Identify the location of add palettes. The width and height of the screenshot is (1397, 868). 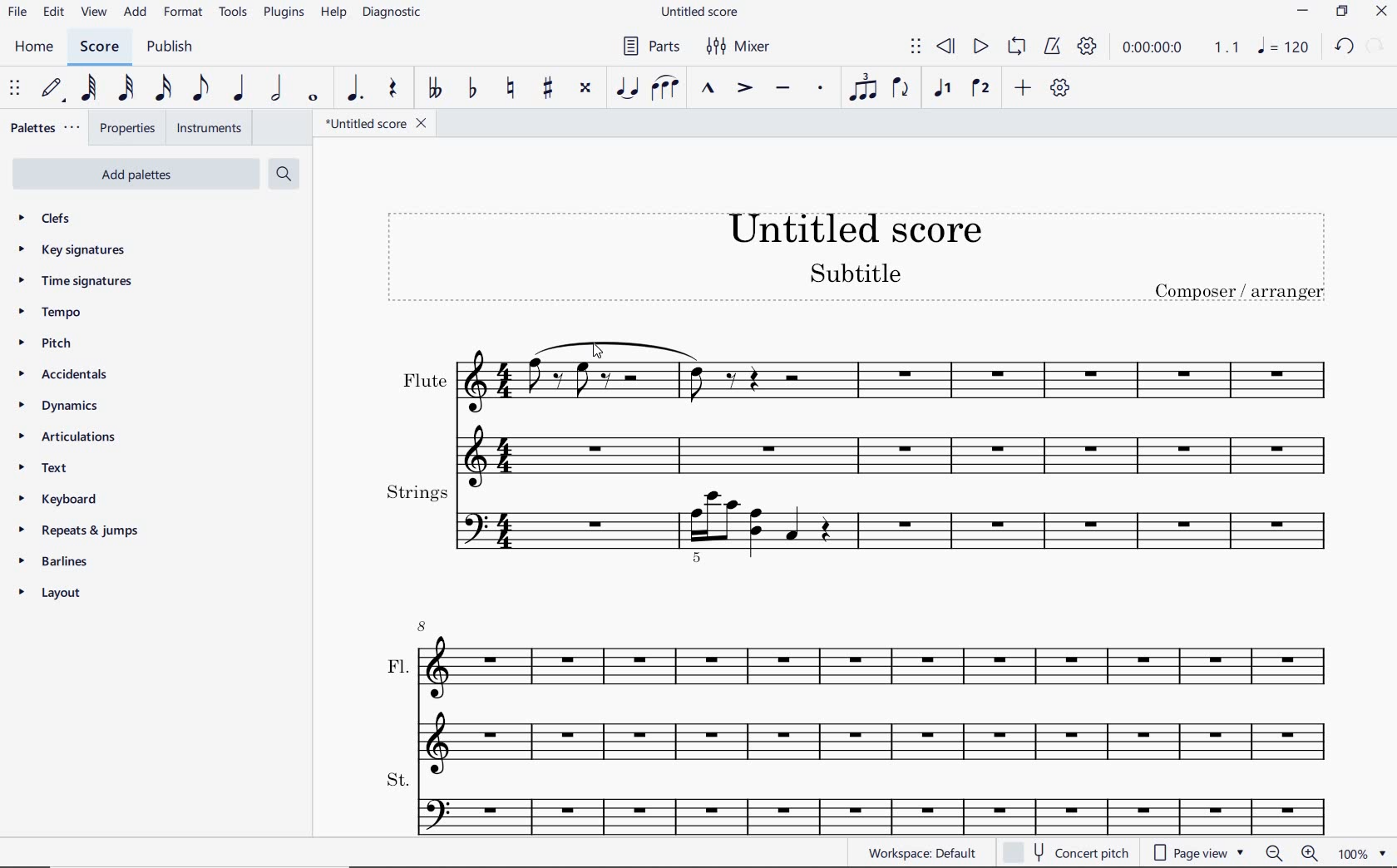
(137, 173).